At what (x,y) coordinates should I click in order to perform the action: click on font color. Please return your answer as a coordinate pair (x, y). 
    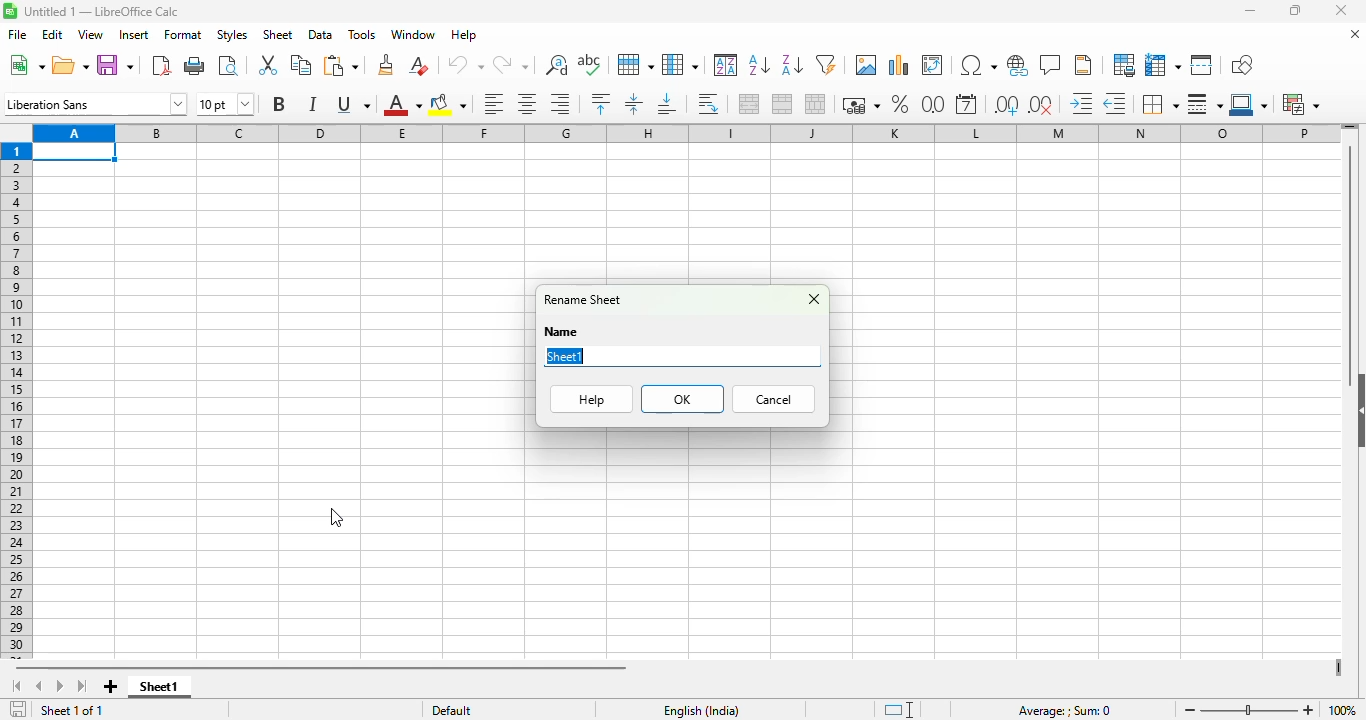
    Looking at the image, I should click on (401, 104).